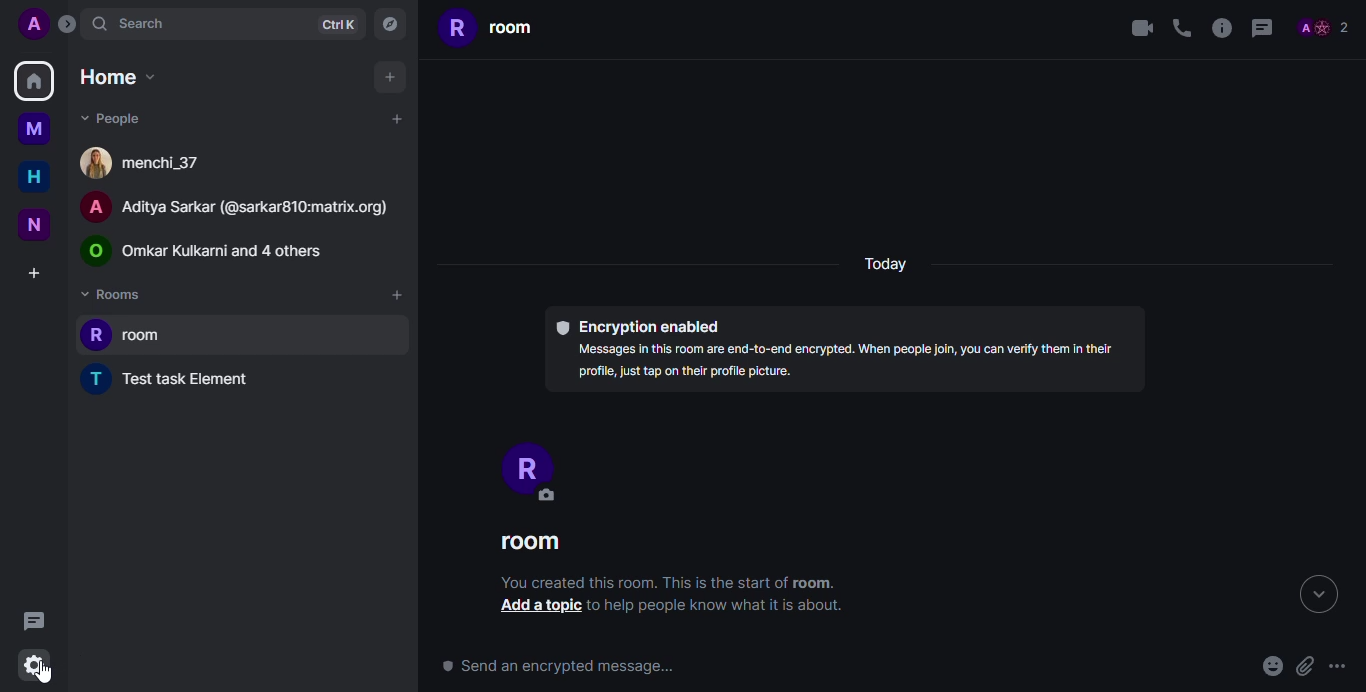 This screenshot has height=692, width=1366. I want to click on You created this room. This is the start of room., so click(670, 582).